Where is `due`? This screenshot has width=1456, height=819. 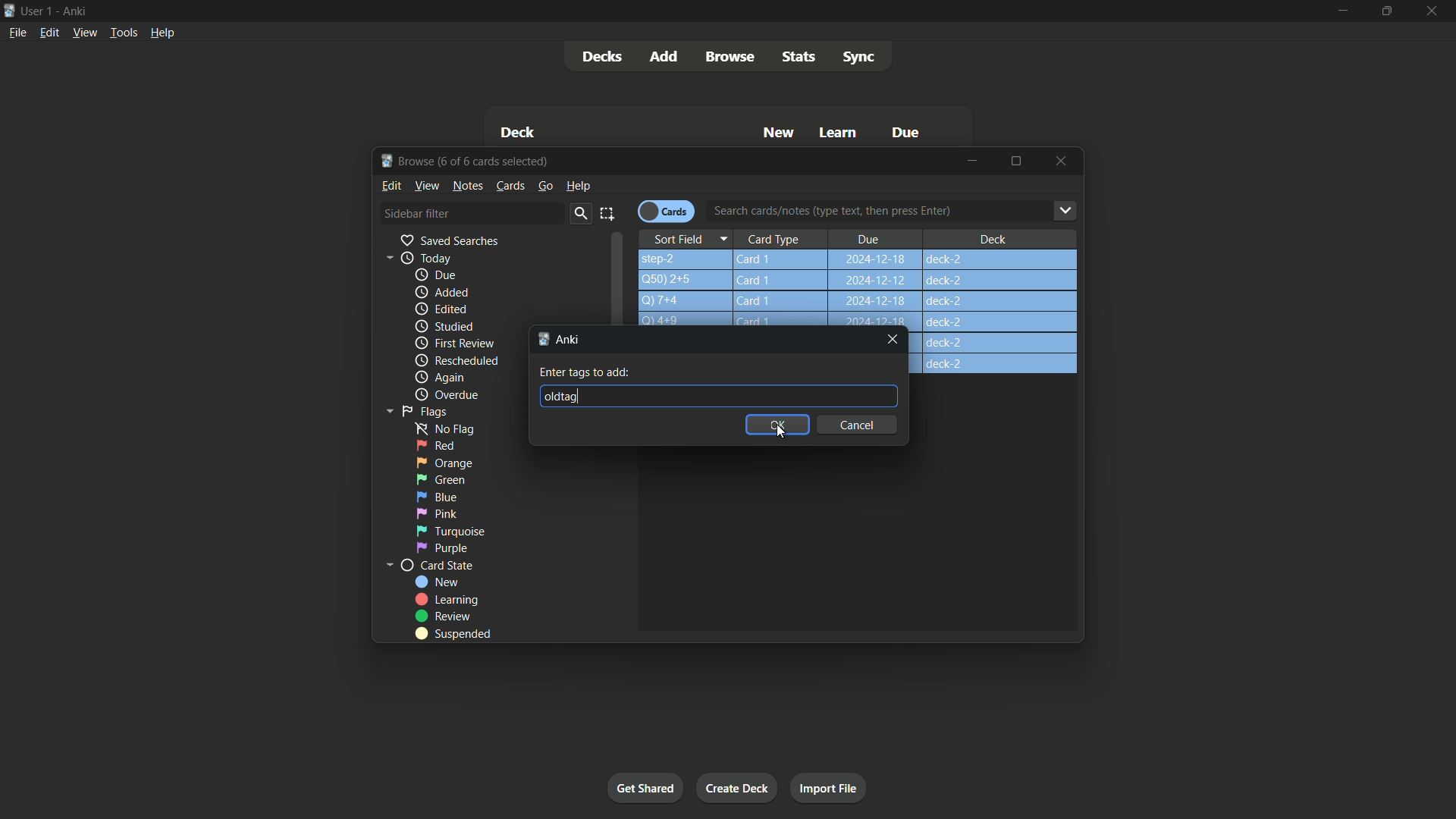 due is located at coordinates (436, 276).